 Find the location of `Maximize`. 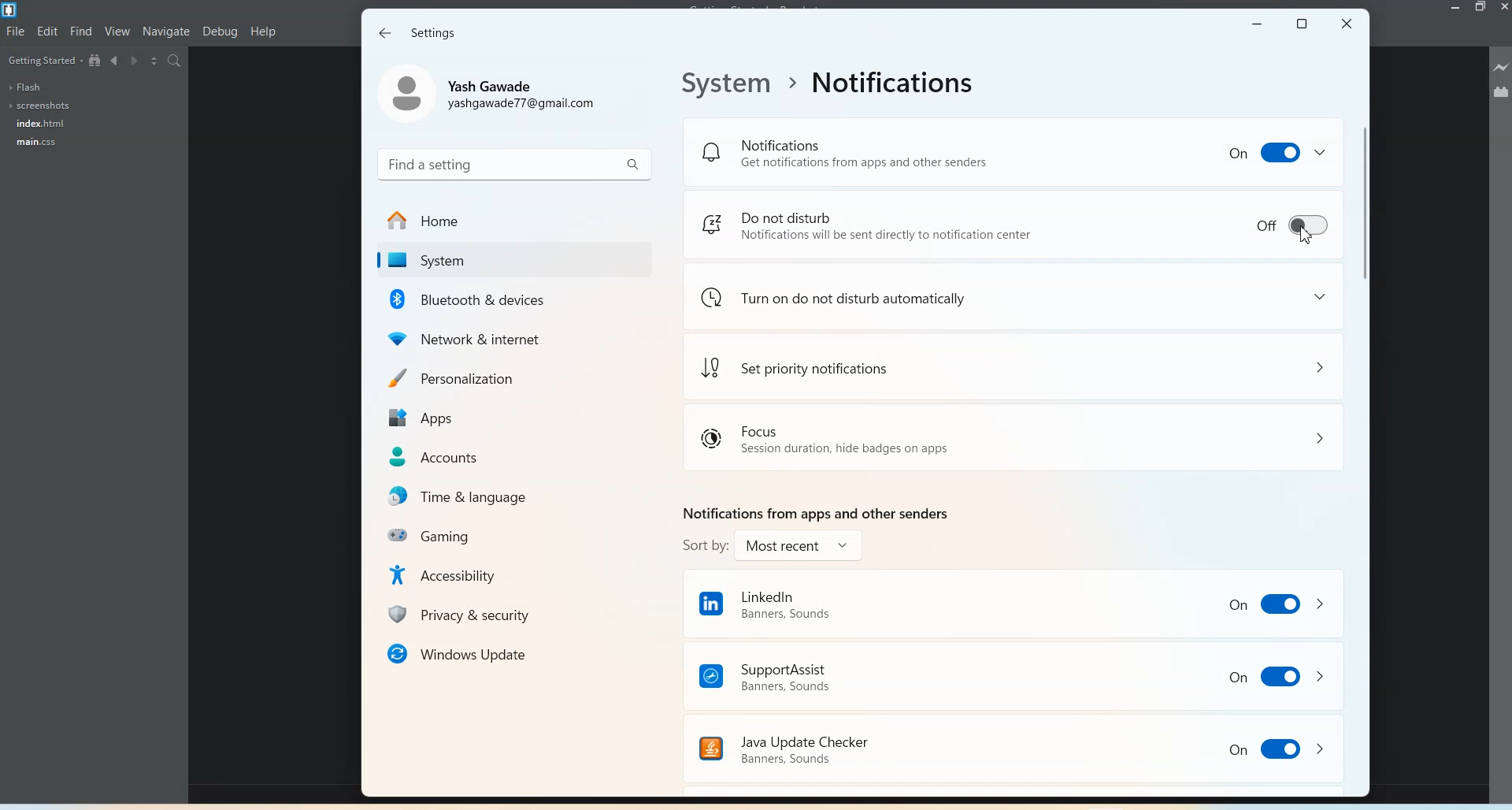

Maximize is located at coordinates (1481, 9).